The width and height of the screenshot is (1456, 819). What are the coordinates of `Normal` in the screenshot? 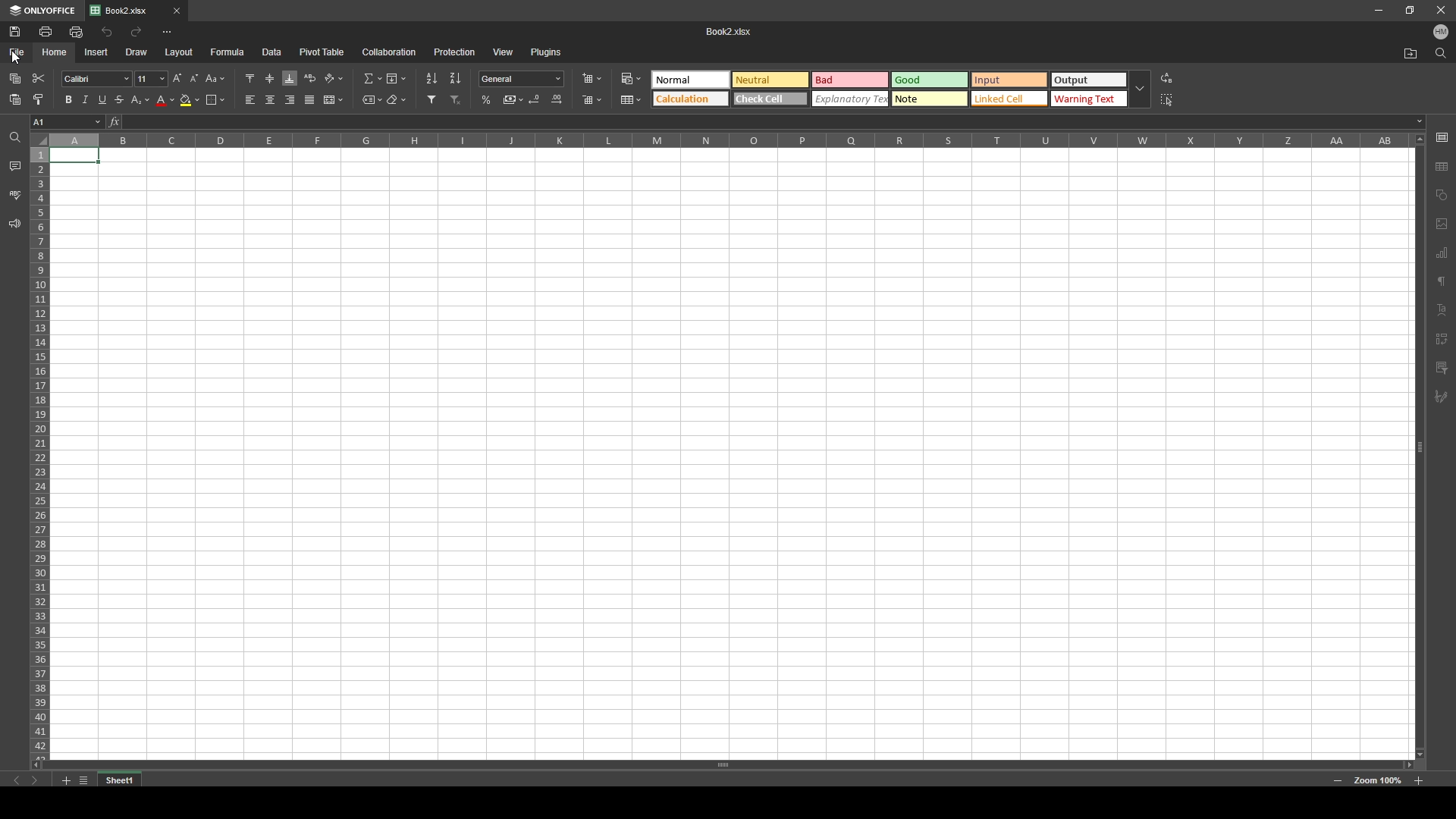 It's located at (692, 80).